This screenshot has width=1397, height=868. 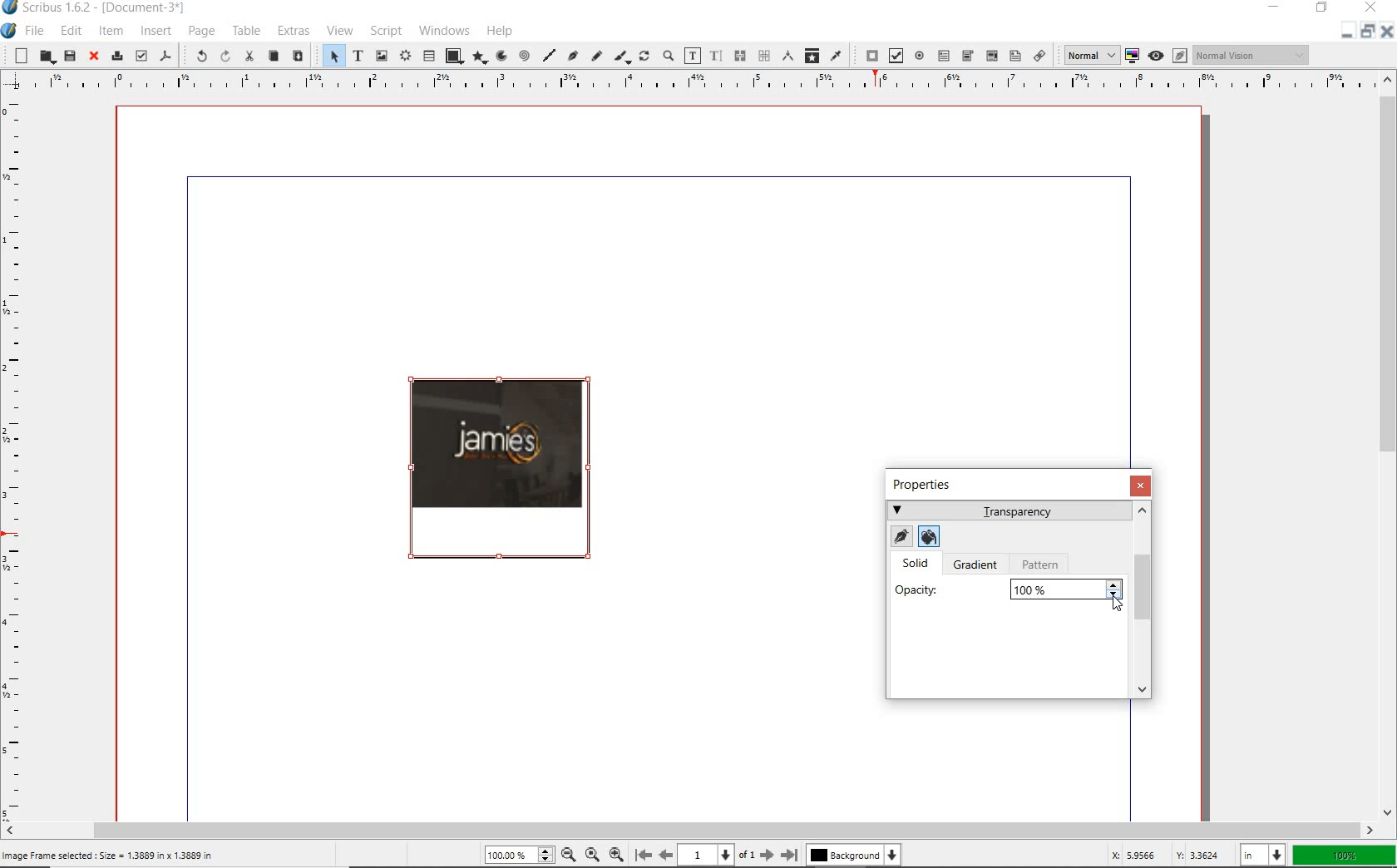 What do you see at coordinates (549, 55) in the screenshot?
I see `line` at bounding box center [549, 55].